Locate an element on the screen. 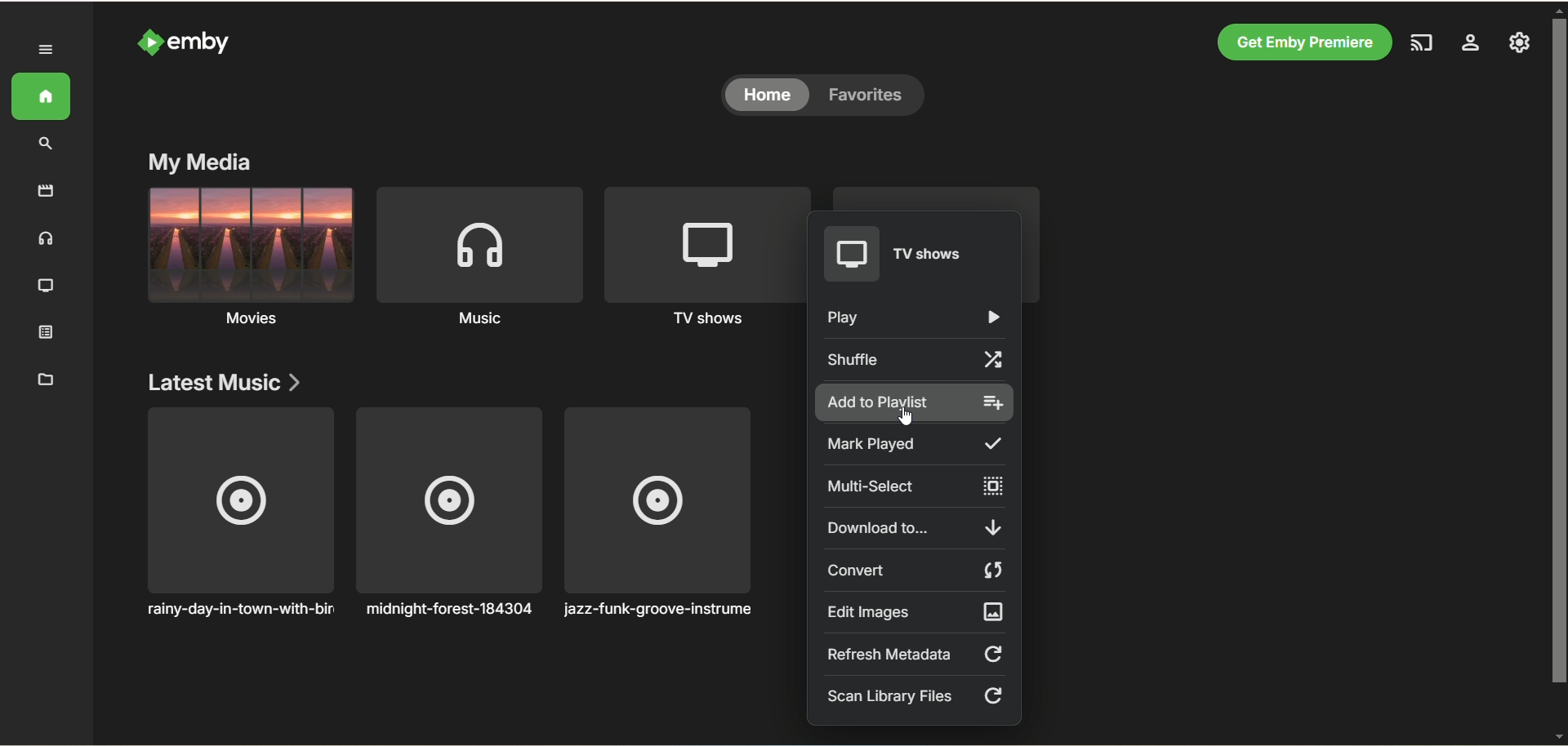 The image size is (1568, 746). Play is located at coordinates (913, 317).